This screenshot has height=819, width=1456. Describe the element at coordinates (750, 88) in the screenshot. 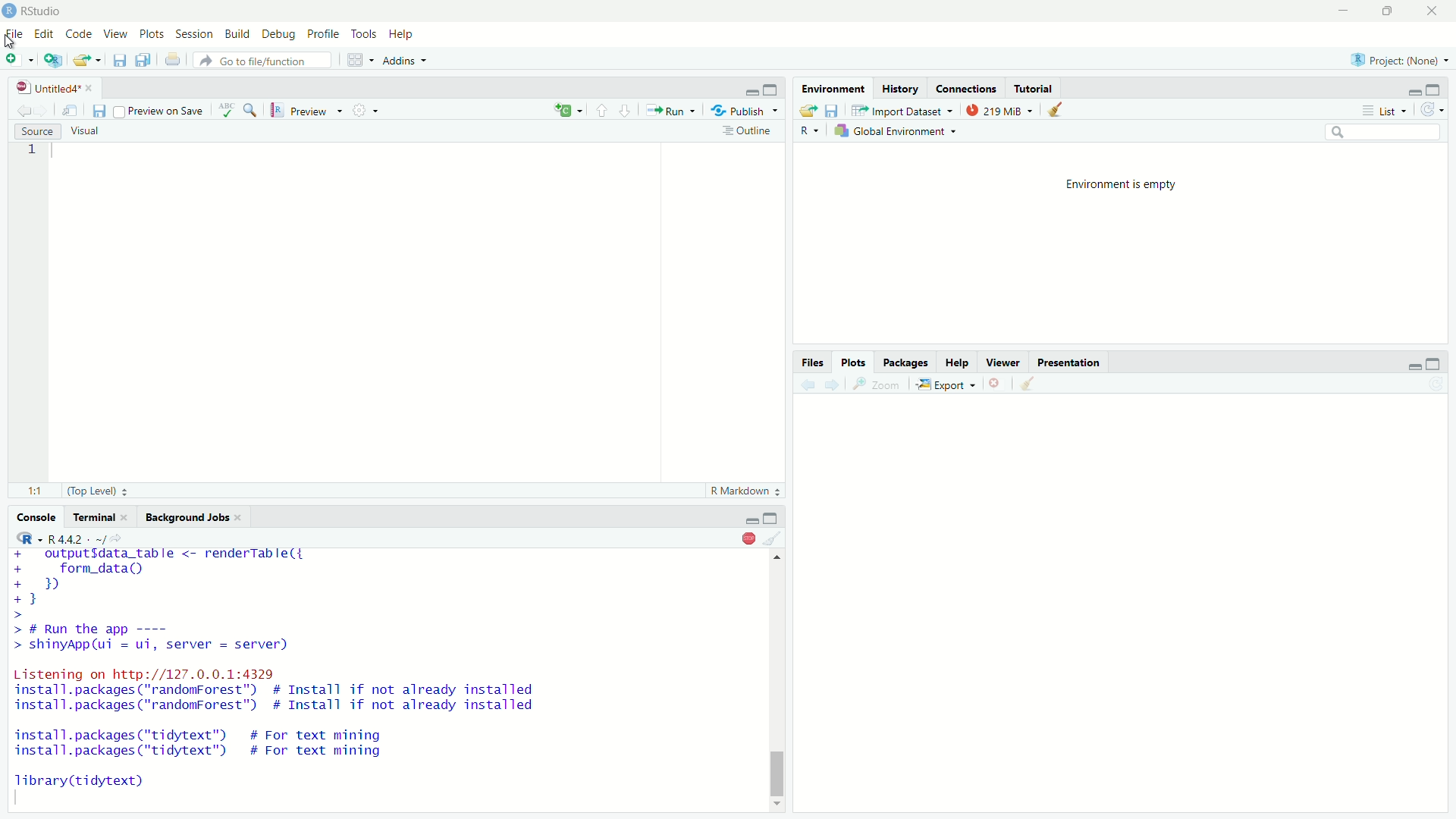

I see `minimize pane` at that location.